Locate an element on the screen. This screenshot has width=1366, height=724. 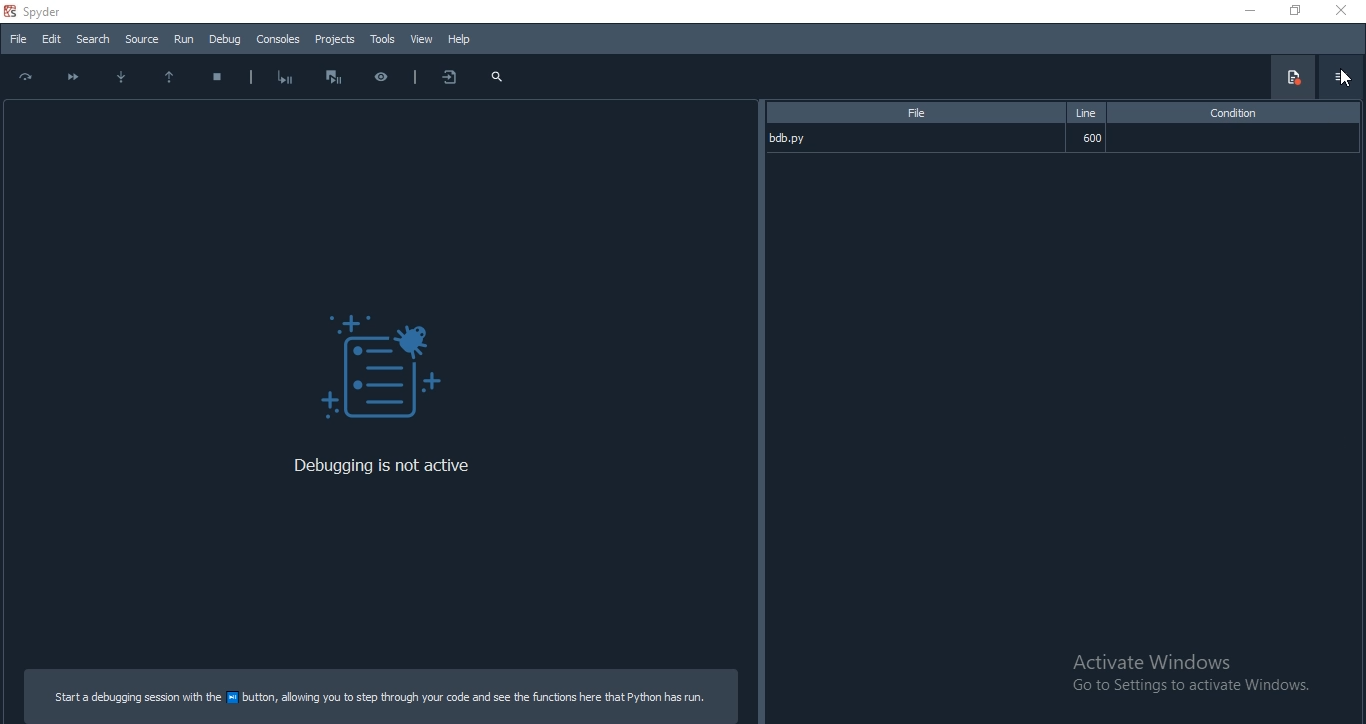
Debugging is not active is located at coordinates (390, 467).